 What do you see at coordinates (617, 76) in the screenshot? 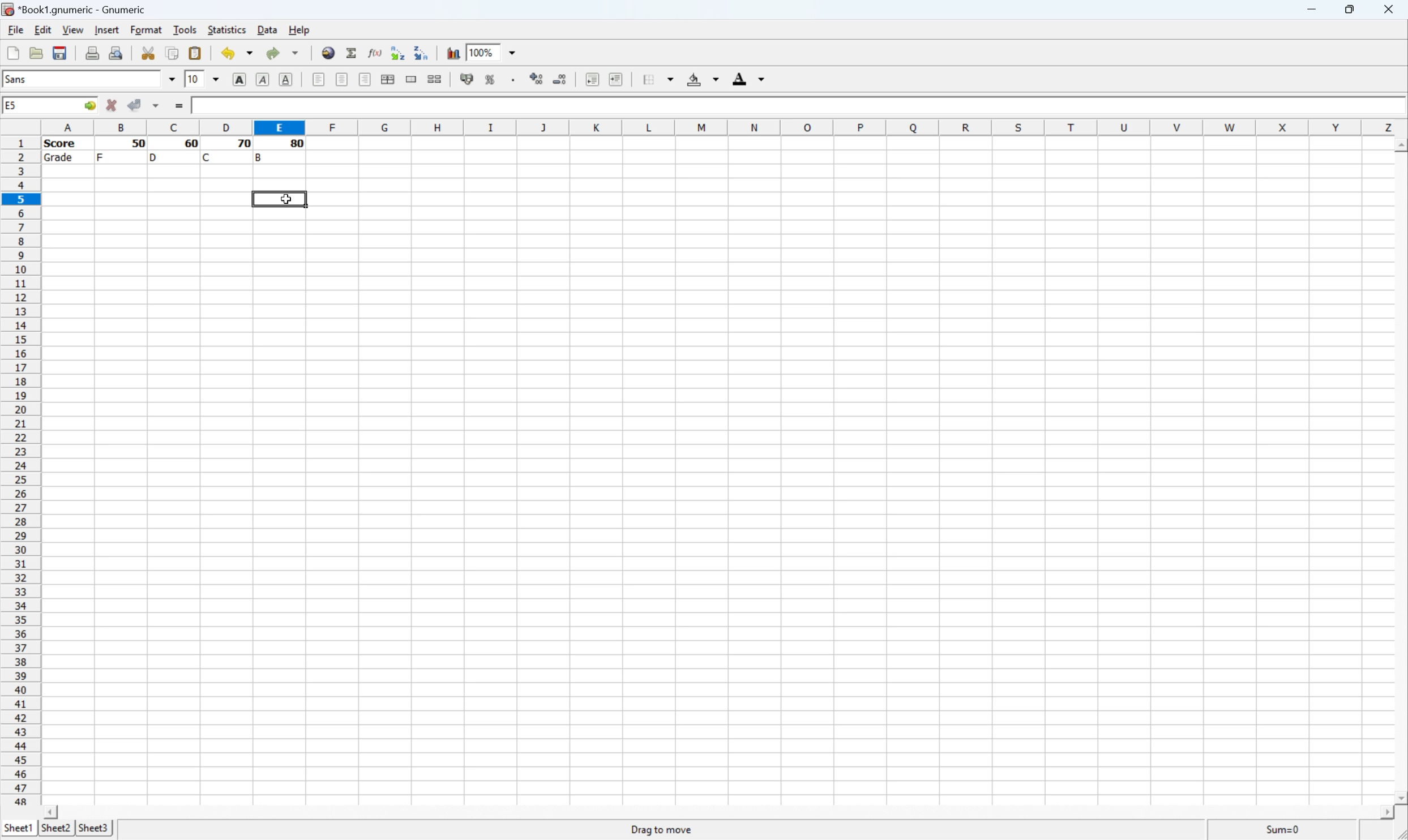
I see `Increase Indent, and align the contents to the left` at bounding box center [617, 76].